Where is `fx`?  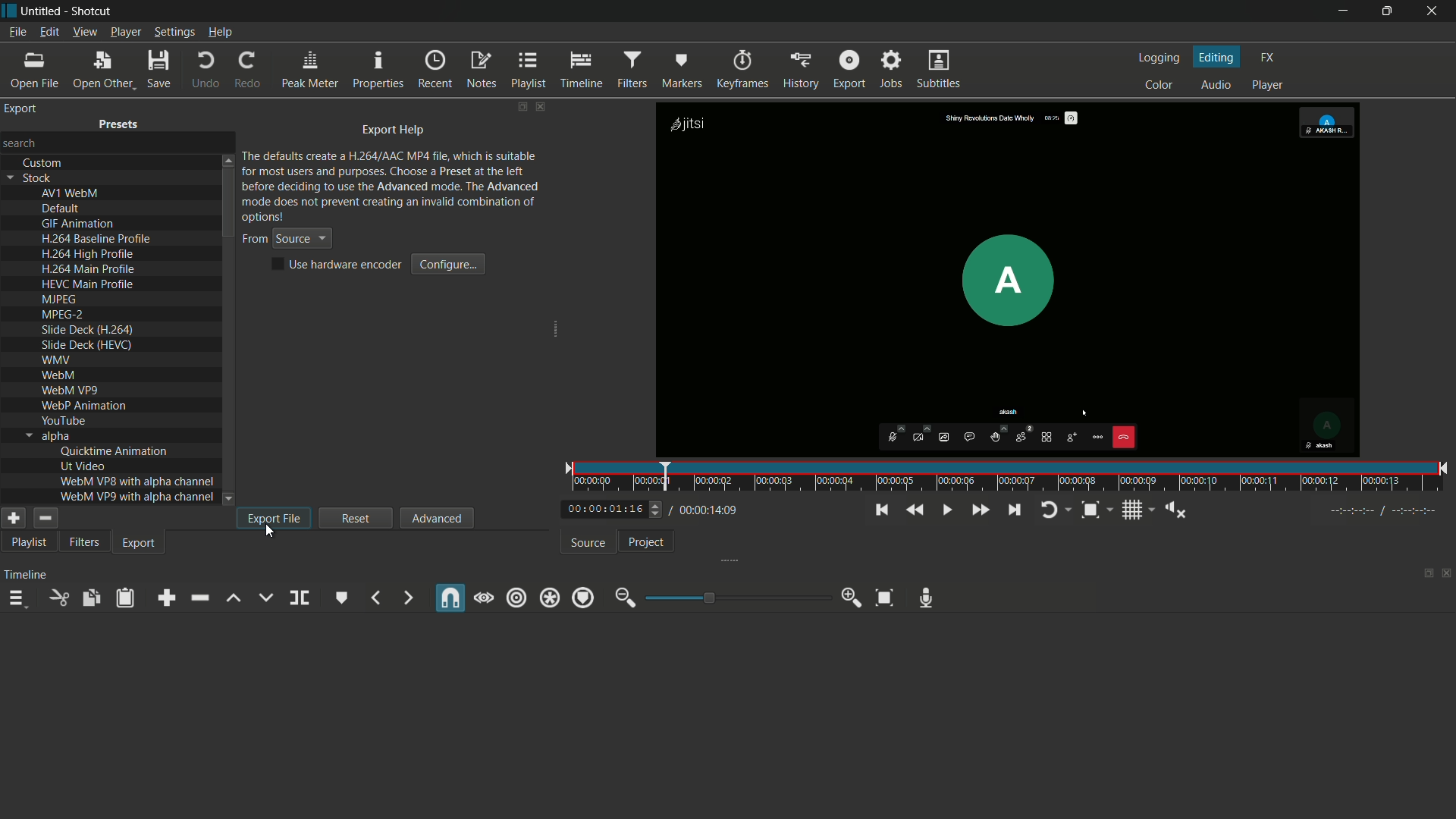
fx is located at coordinates (1268, 58).